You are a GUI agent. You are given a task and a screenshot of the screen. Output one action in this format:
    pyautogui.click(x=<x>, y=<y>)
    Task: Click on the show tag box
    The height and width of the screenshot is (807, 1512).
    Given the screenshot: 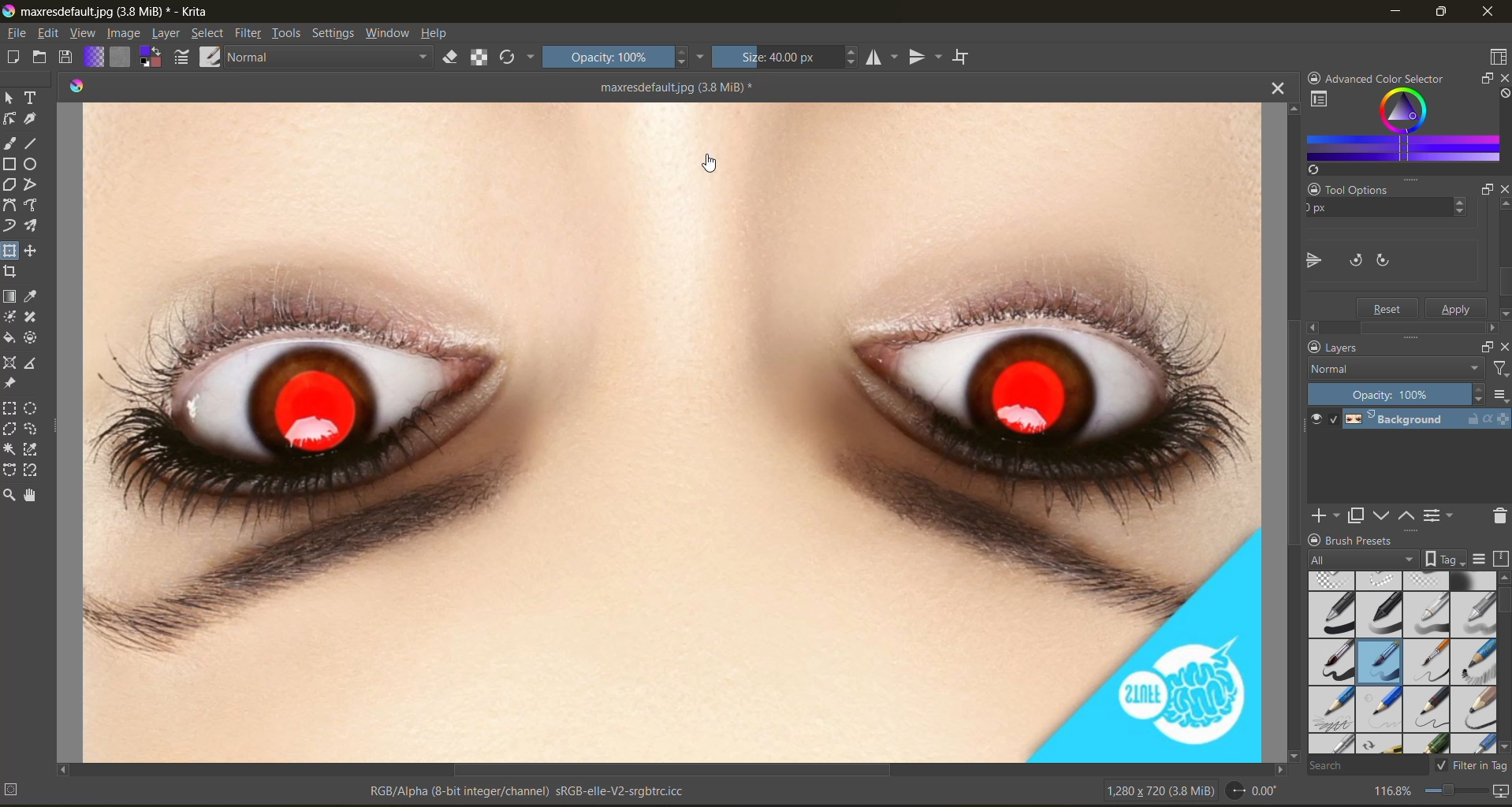 What is the action you would take?
    pyautogui.click(x=1445, y=558)
    